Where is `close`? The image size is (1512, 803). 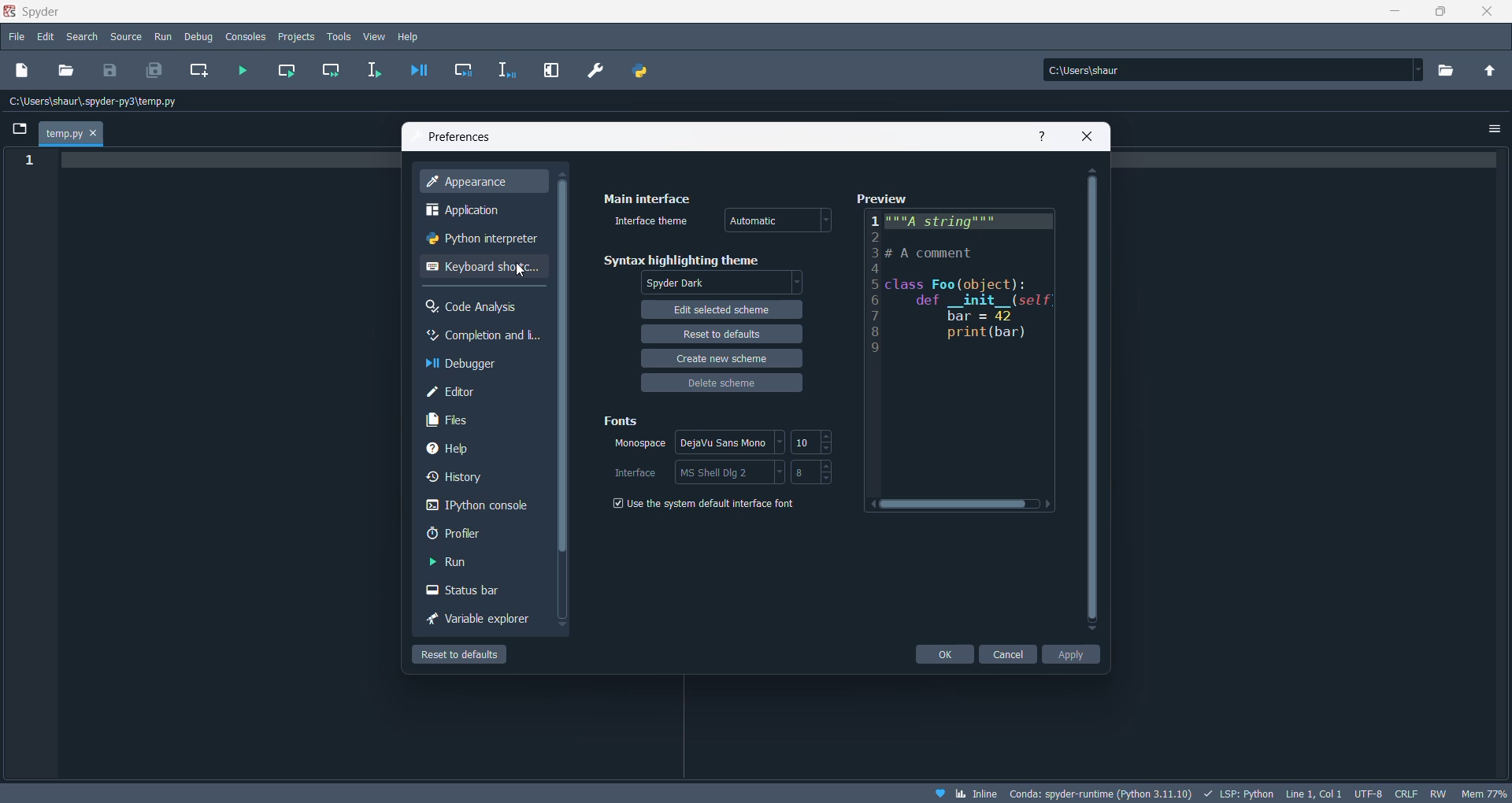
close is located at coordinates (1480, 13).